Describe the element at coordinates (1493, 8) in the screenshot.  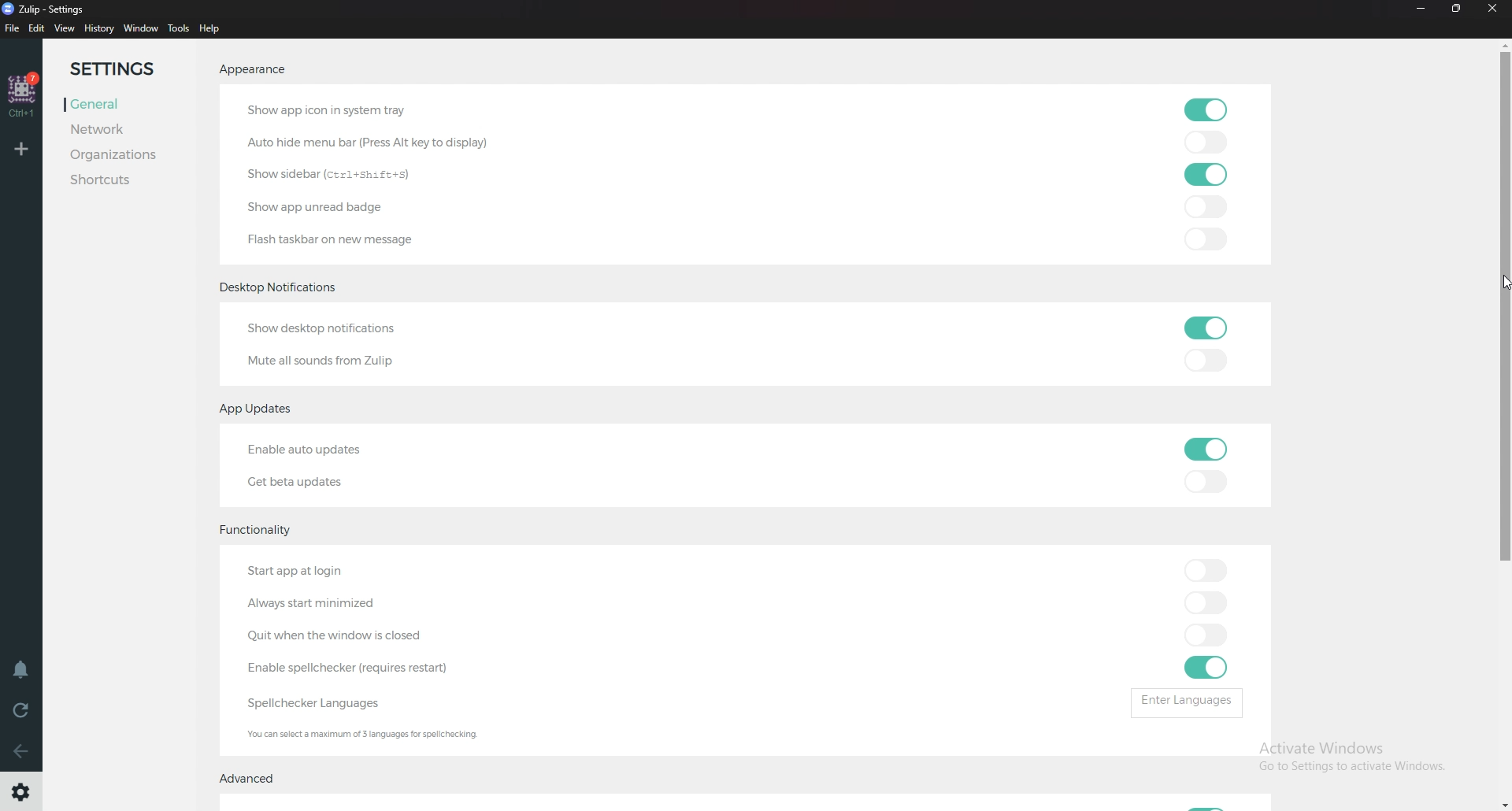
I see `Close` at that location.